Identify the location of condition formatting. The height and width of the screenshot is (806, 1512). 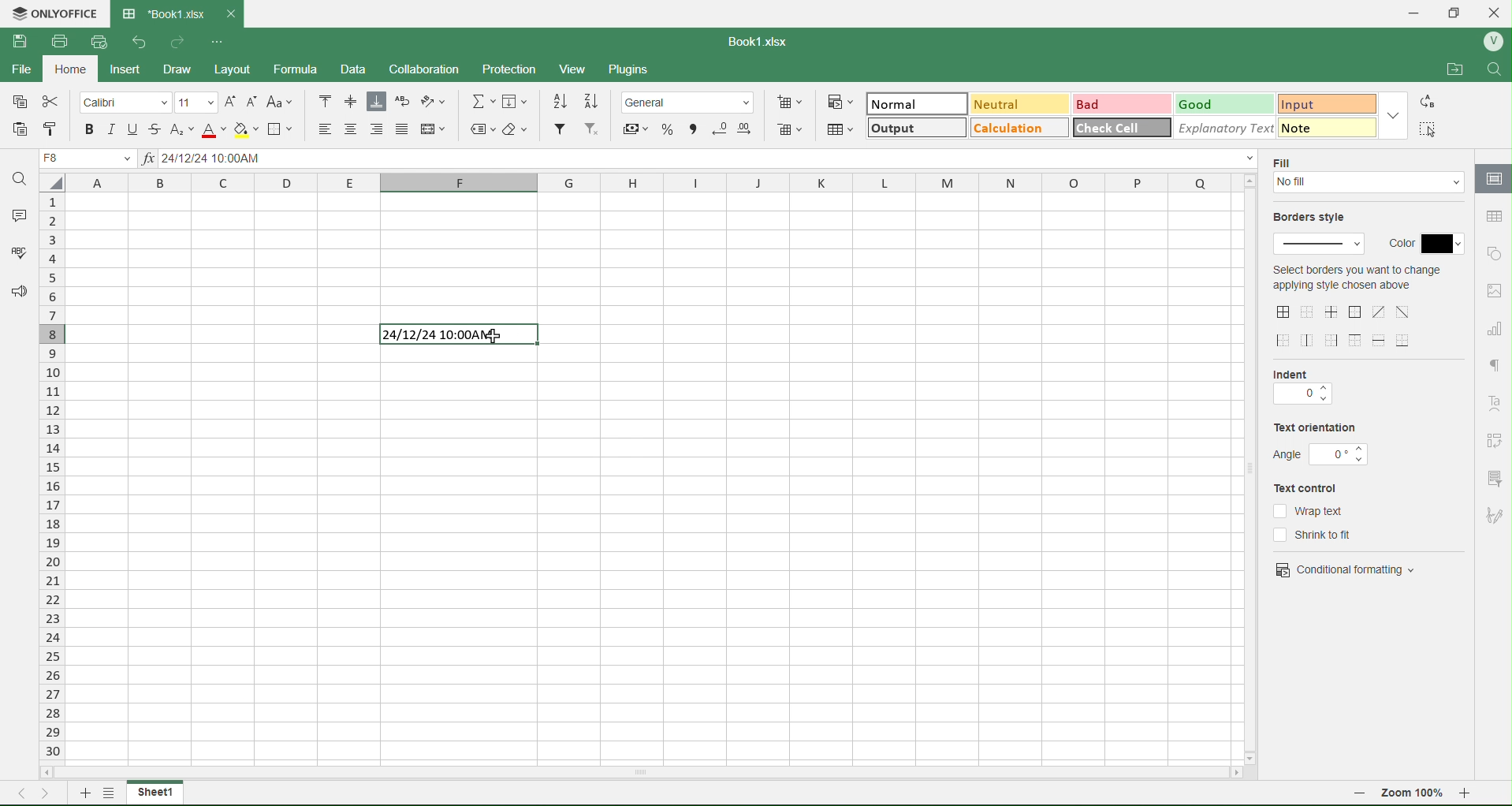
(1346, 568).